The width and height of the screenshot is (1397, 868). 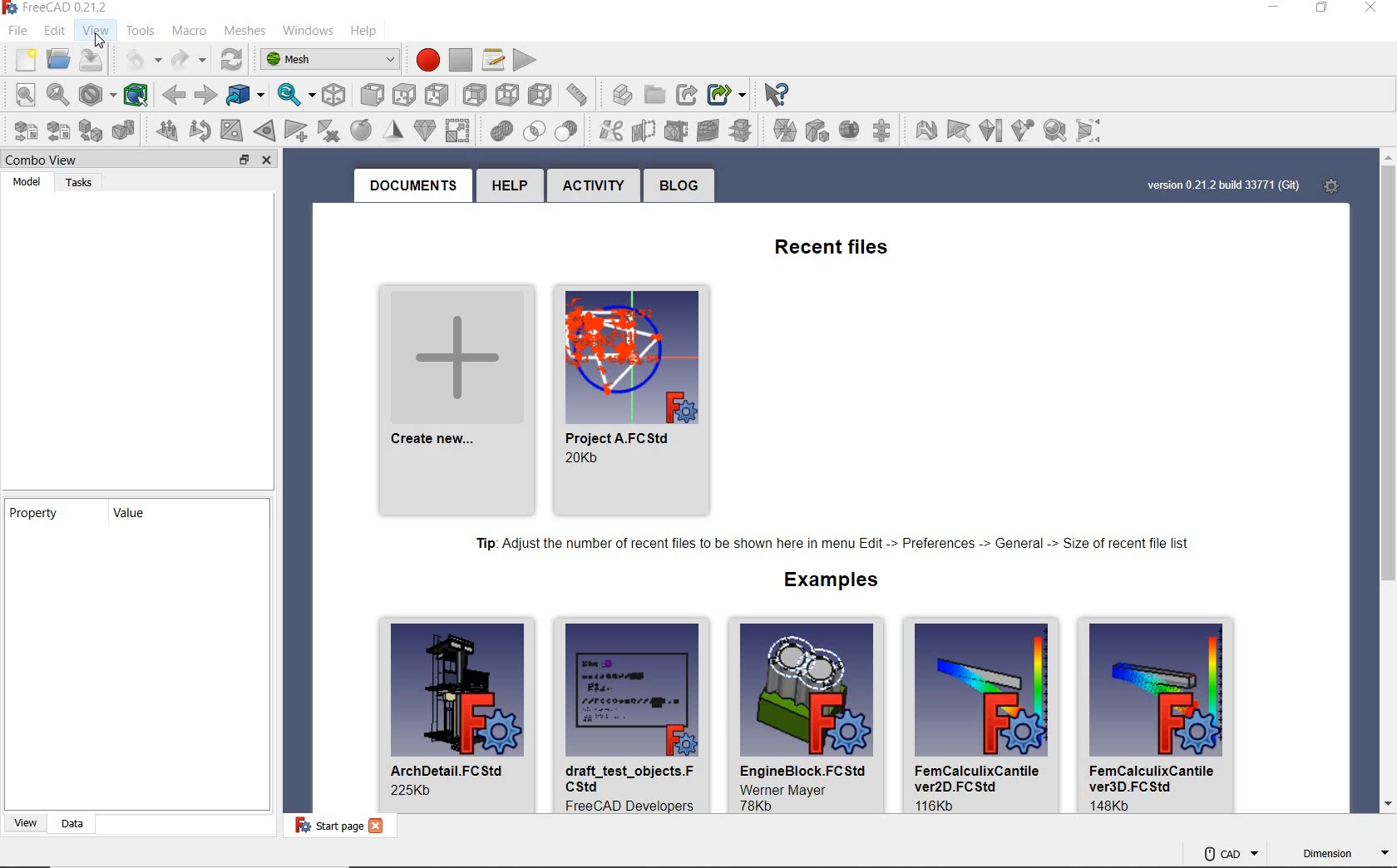 What do you see at coordinates (457, 399) in the screenshot?
I see `create new` at bounding box center [457, 399].